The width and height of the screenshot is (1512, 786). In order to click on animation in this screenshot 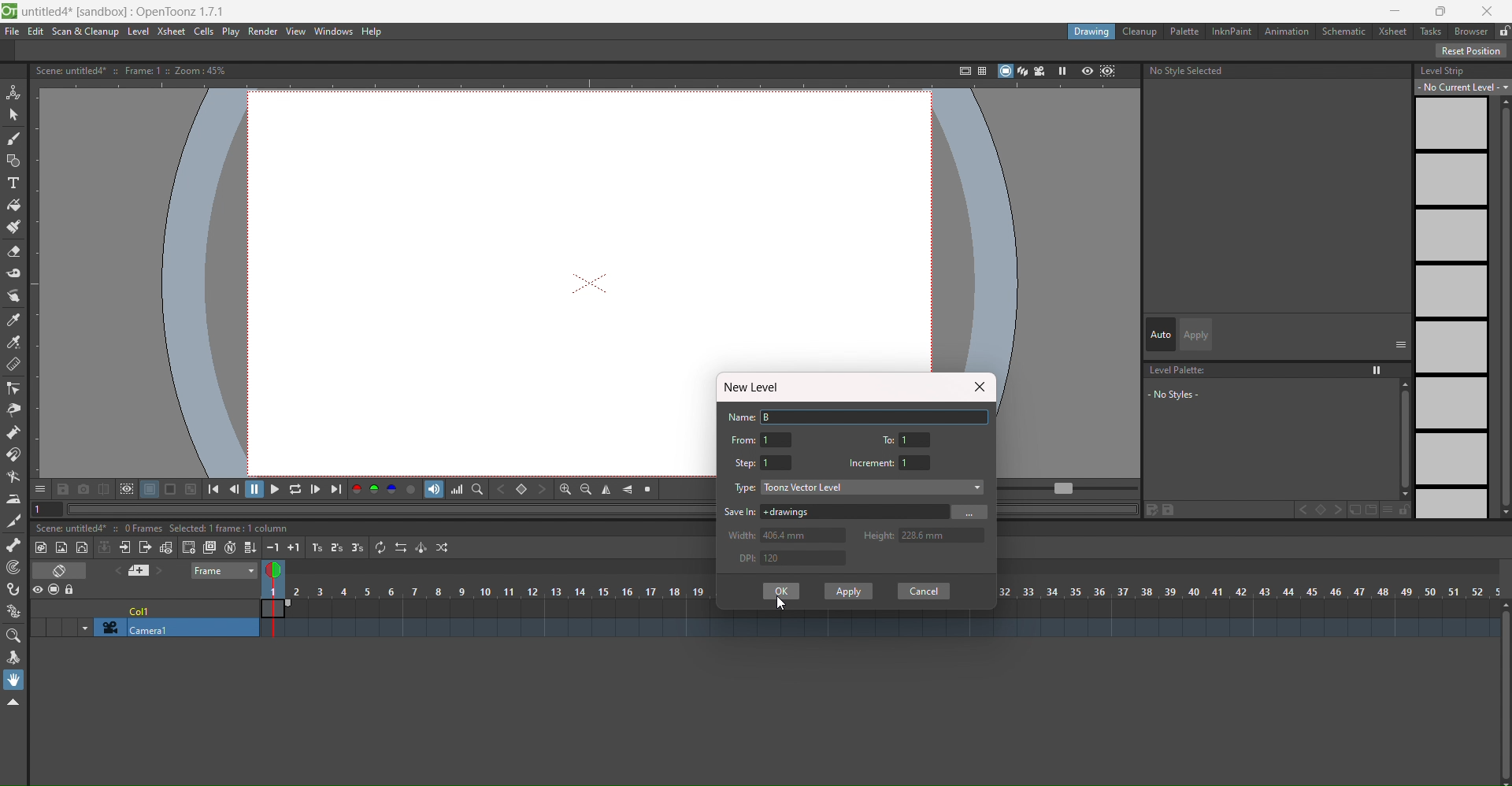, I will do `click(1288, 32)`.